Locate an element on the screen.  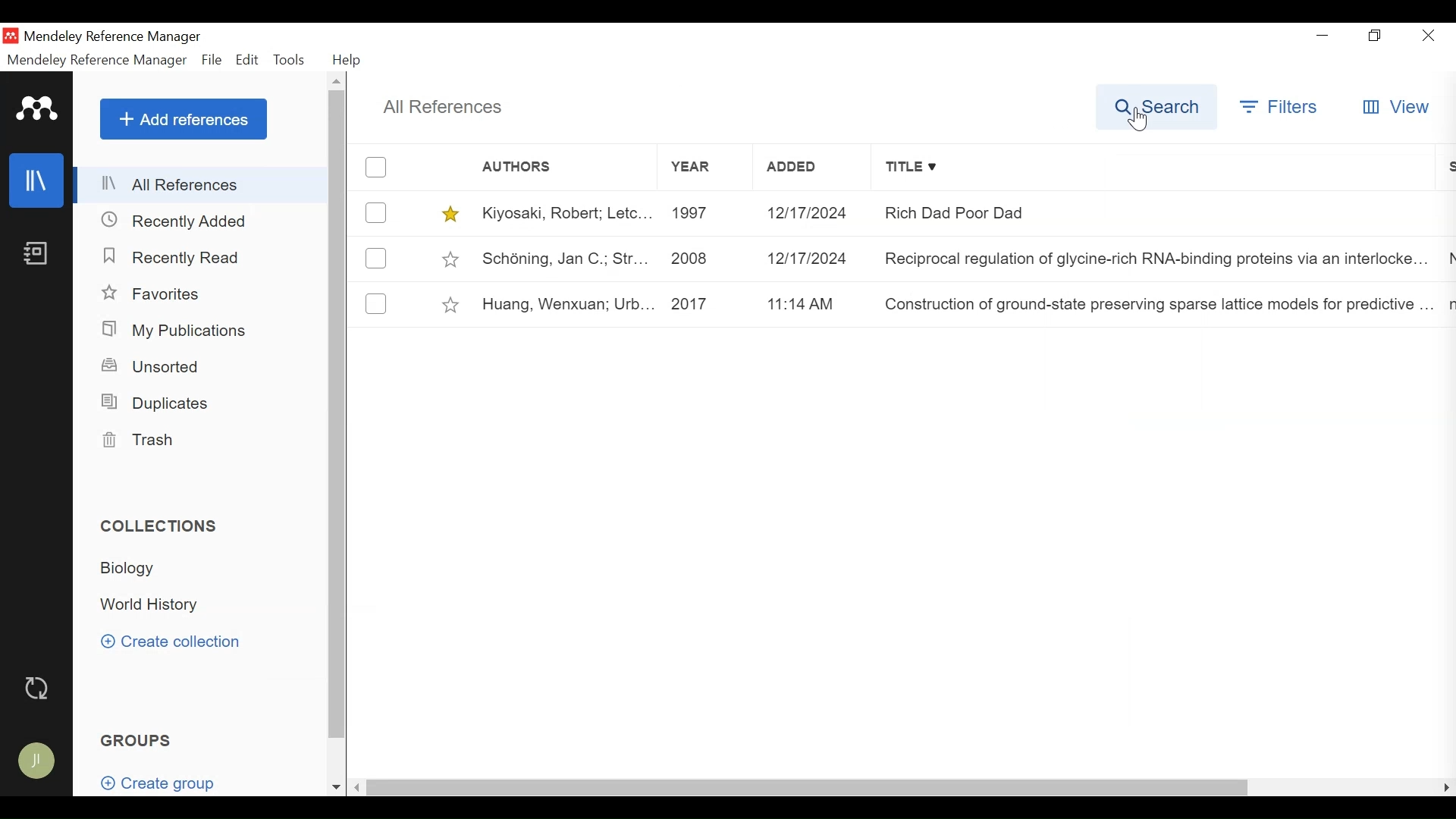
Horizontal Scroll bar is located at coordinates (807, 788).